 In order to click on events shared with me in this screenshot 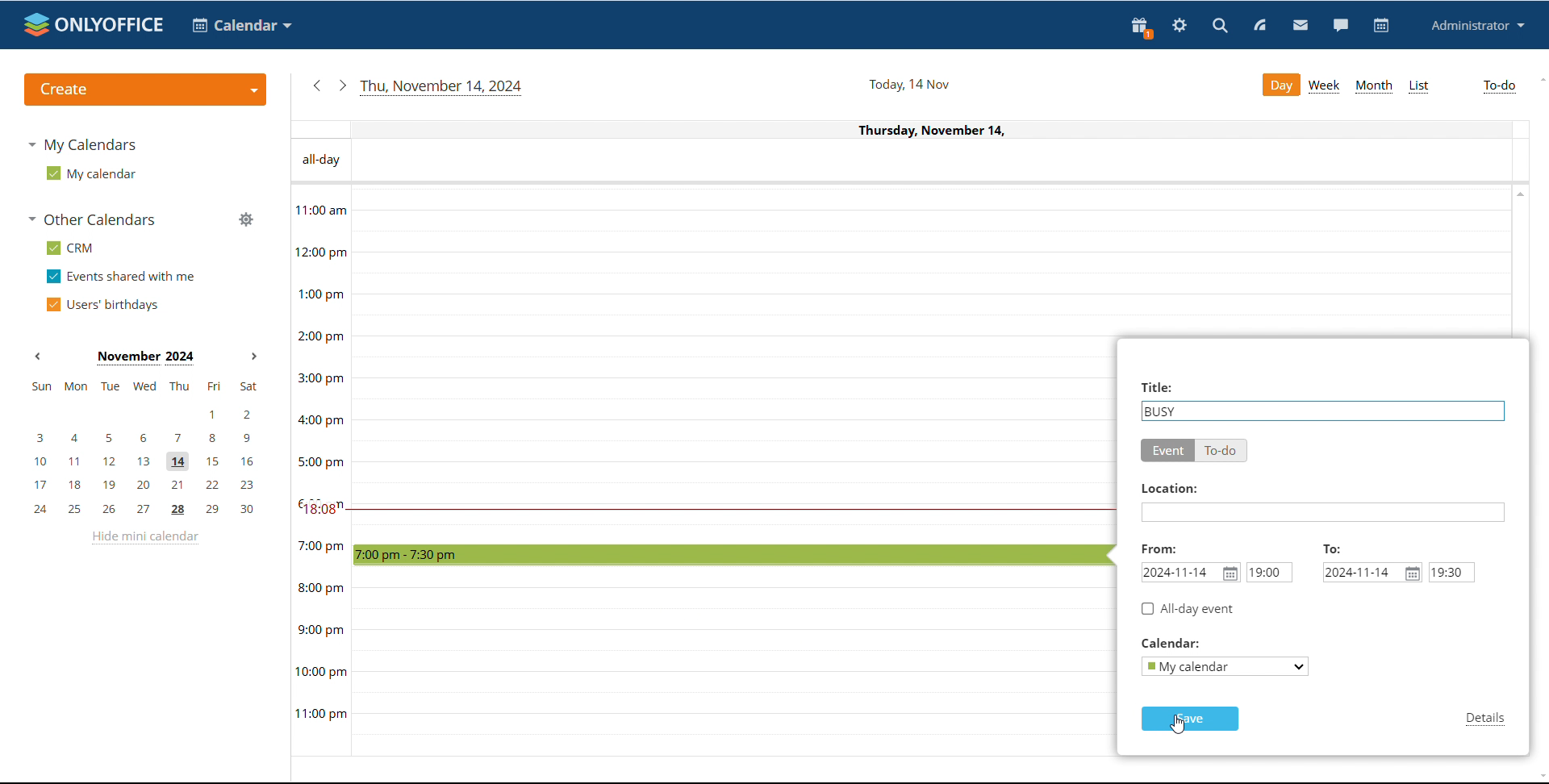, I will do `click(119, 277)`.